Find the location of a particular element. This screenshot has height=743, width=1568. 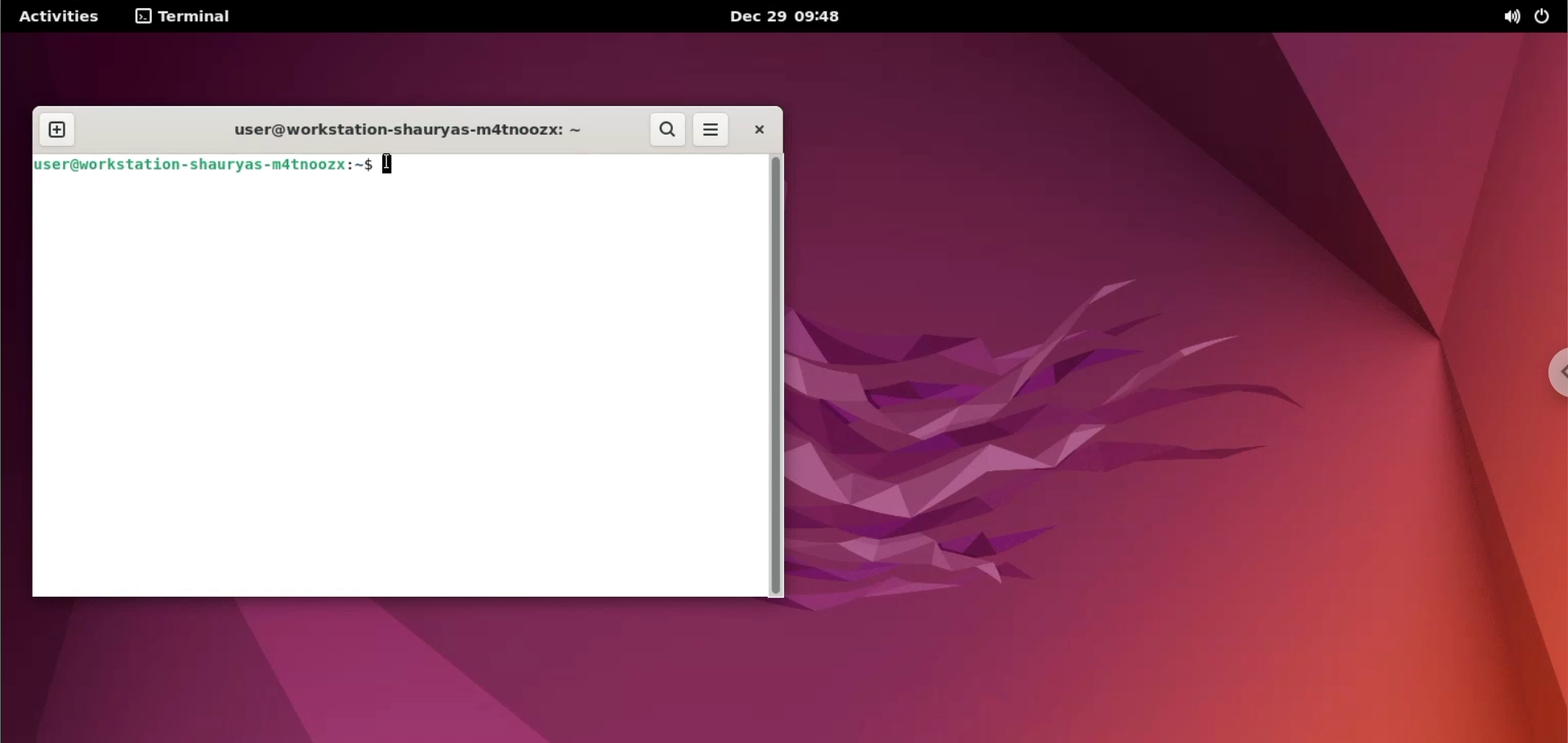

more options is located at coordinates (712, 129).